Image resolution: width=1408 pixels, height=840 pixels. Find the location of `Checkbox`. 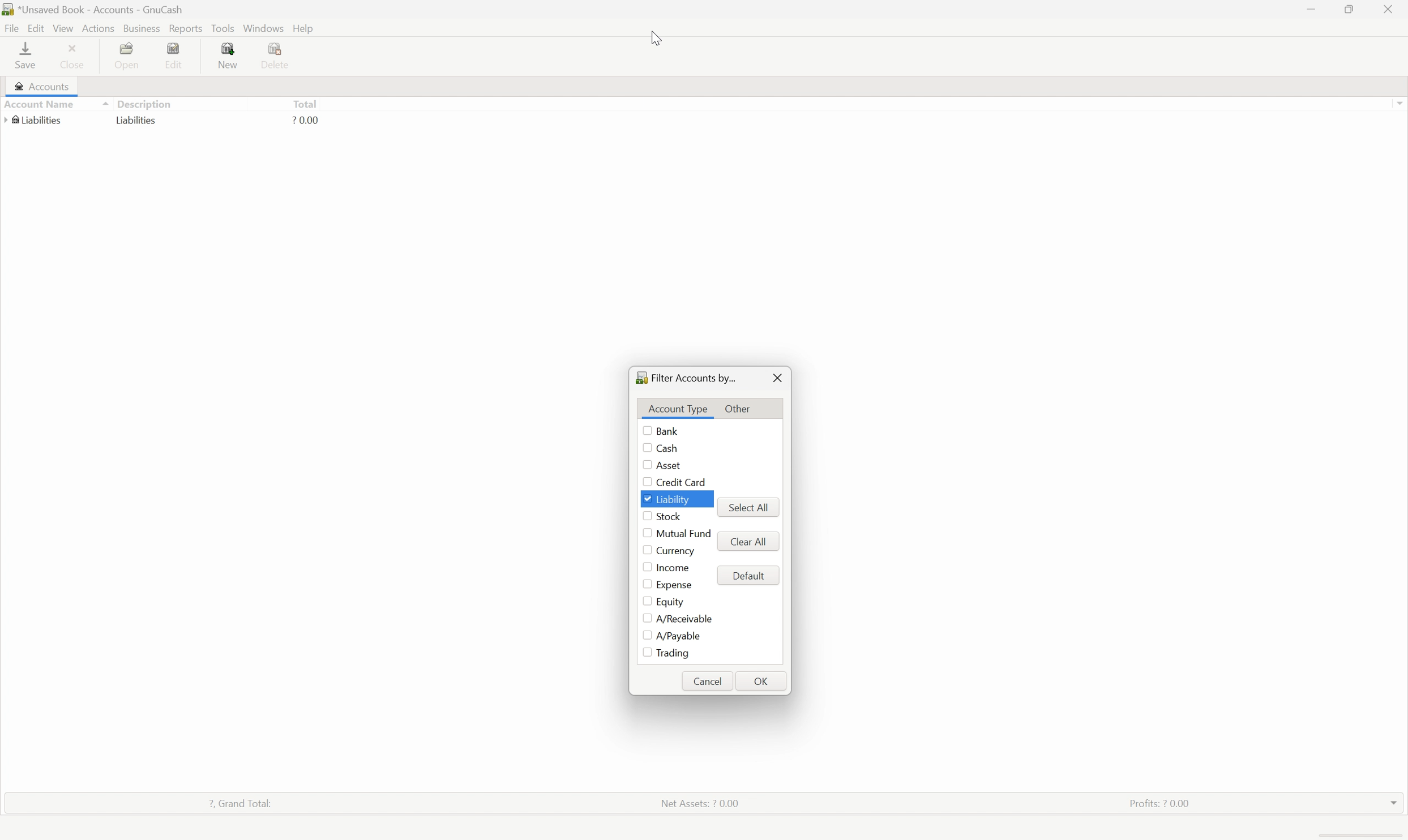

Checkbox is located at coordinates (645, 516).